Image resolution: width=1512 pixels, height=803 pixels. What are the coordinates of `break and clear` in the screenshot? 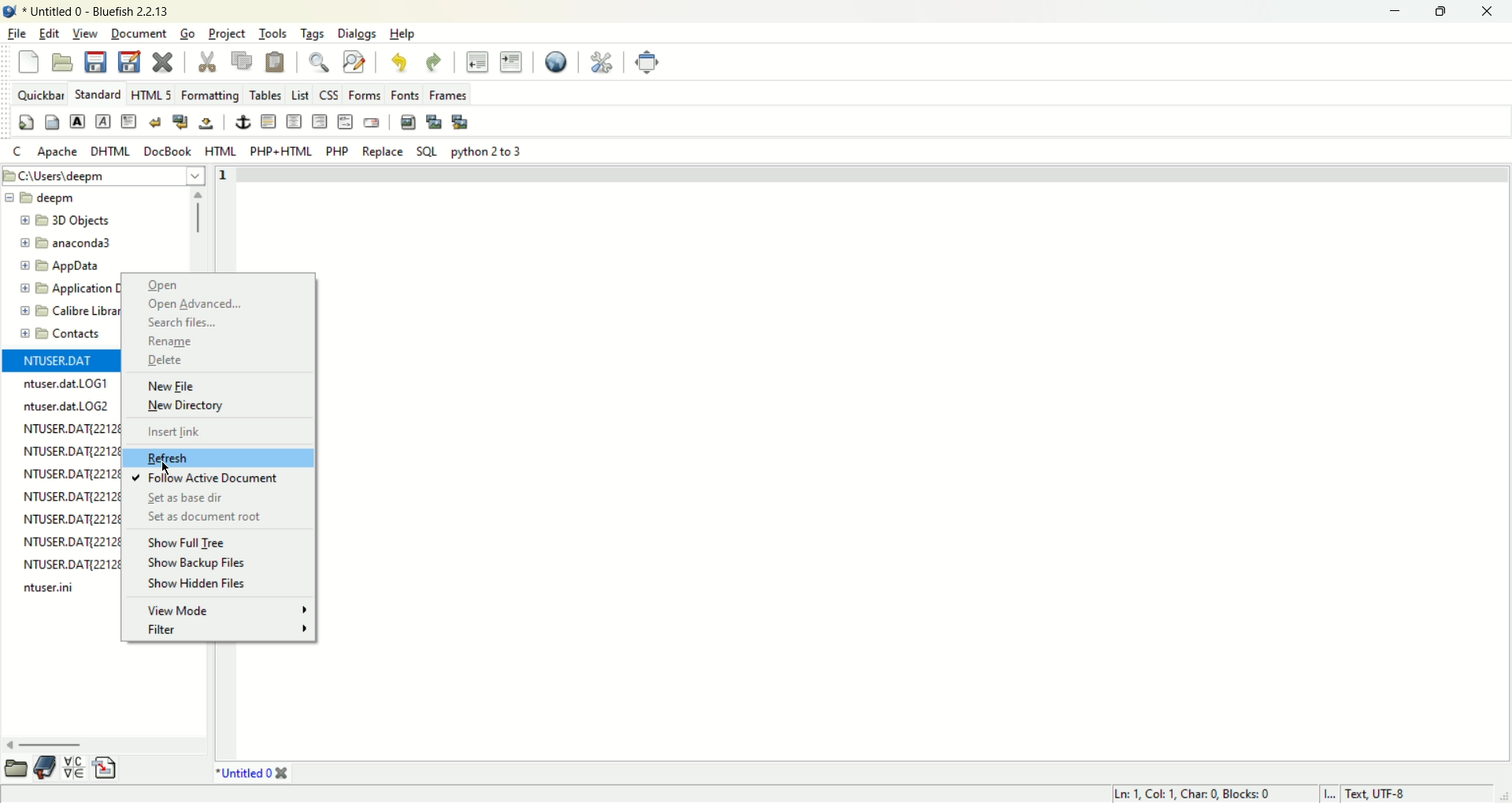 It's located at (181, 120).